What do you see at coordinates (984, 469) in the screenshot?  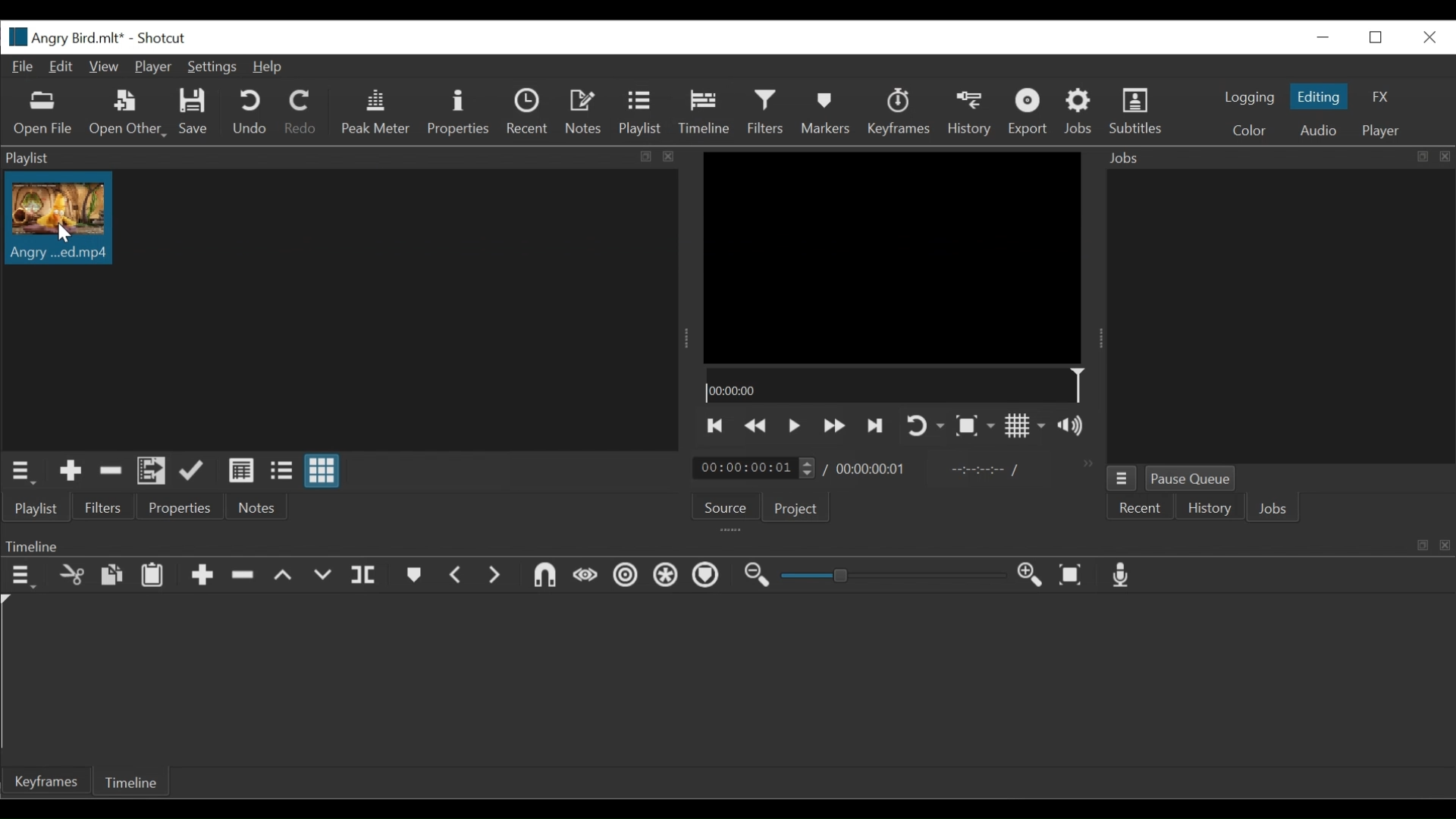 I see `In point` at bounding box center [984, 469].